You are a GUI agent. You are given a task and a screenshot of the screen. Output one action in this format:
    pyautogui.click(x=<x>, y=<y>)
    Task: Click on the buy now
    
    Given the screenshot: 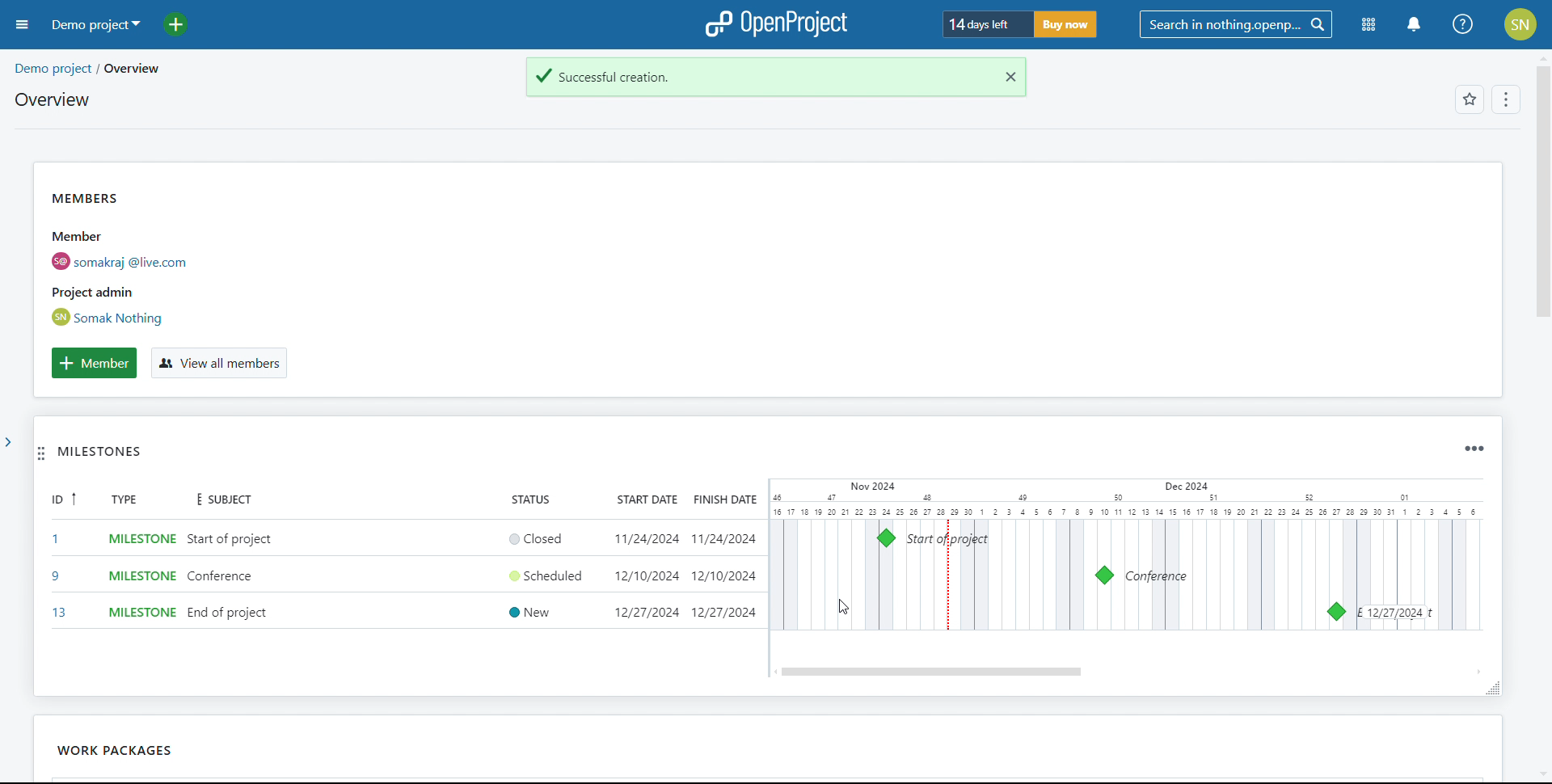 What is the action you would take?
    pyautogui.click(x=1064, y=24)
    